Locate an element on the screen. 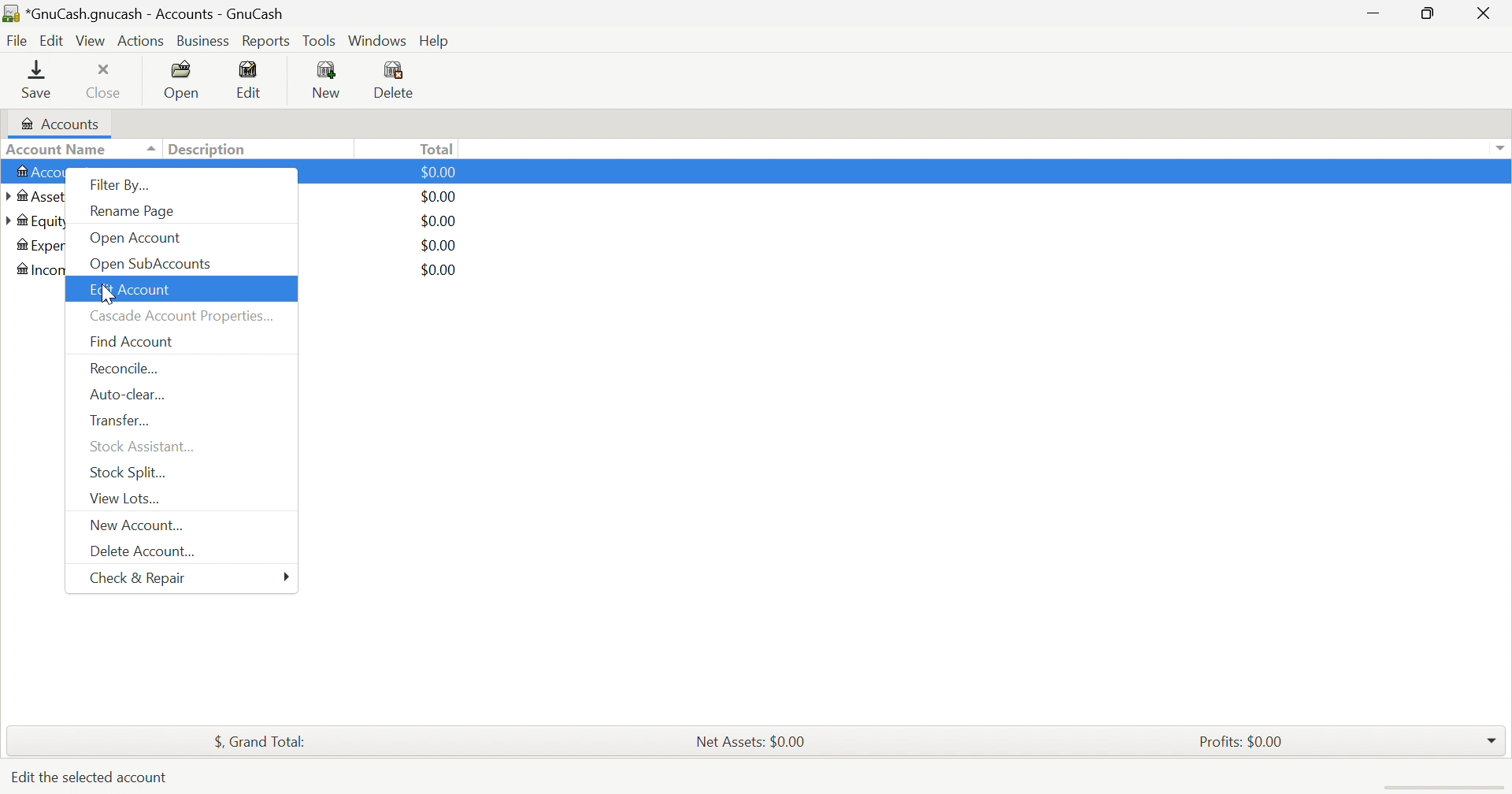 Image resolution: width=1512 pixels, height=794 pixels. $, Grand Total: is located at coordinates (259, 742).